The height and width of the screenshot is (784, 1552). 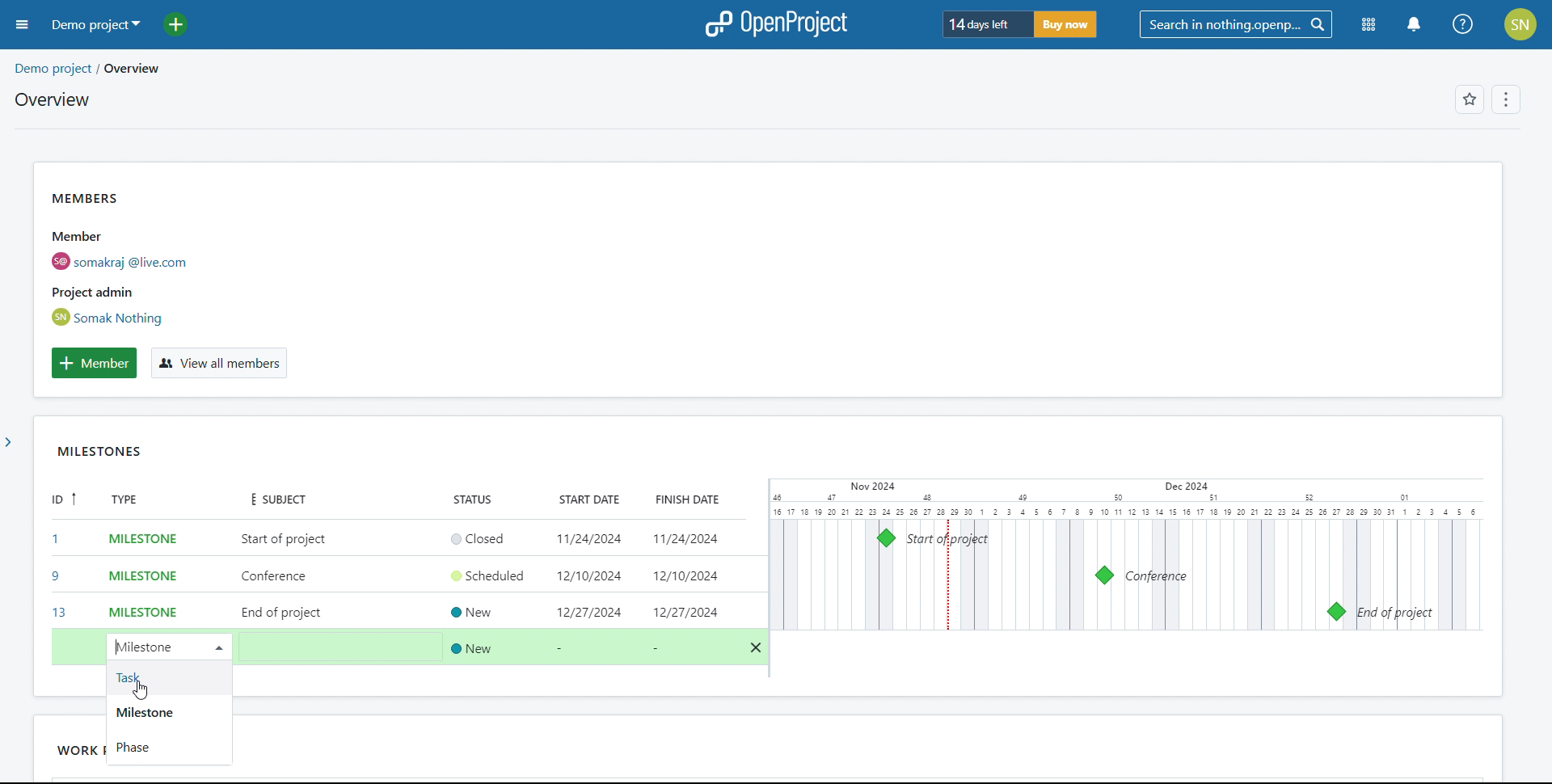 What do you see at coordinates (681, 499) in the screenshot?
I see `finish date` at bounding box center [681, 499].